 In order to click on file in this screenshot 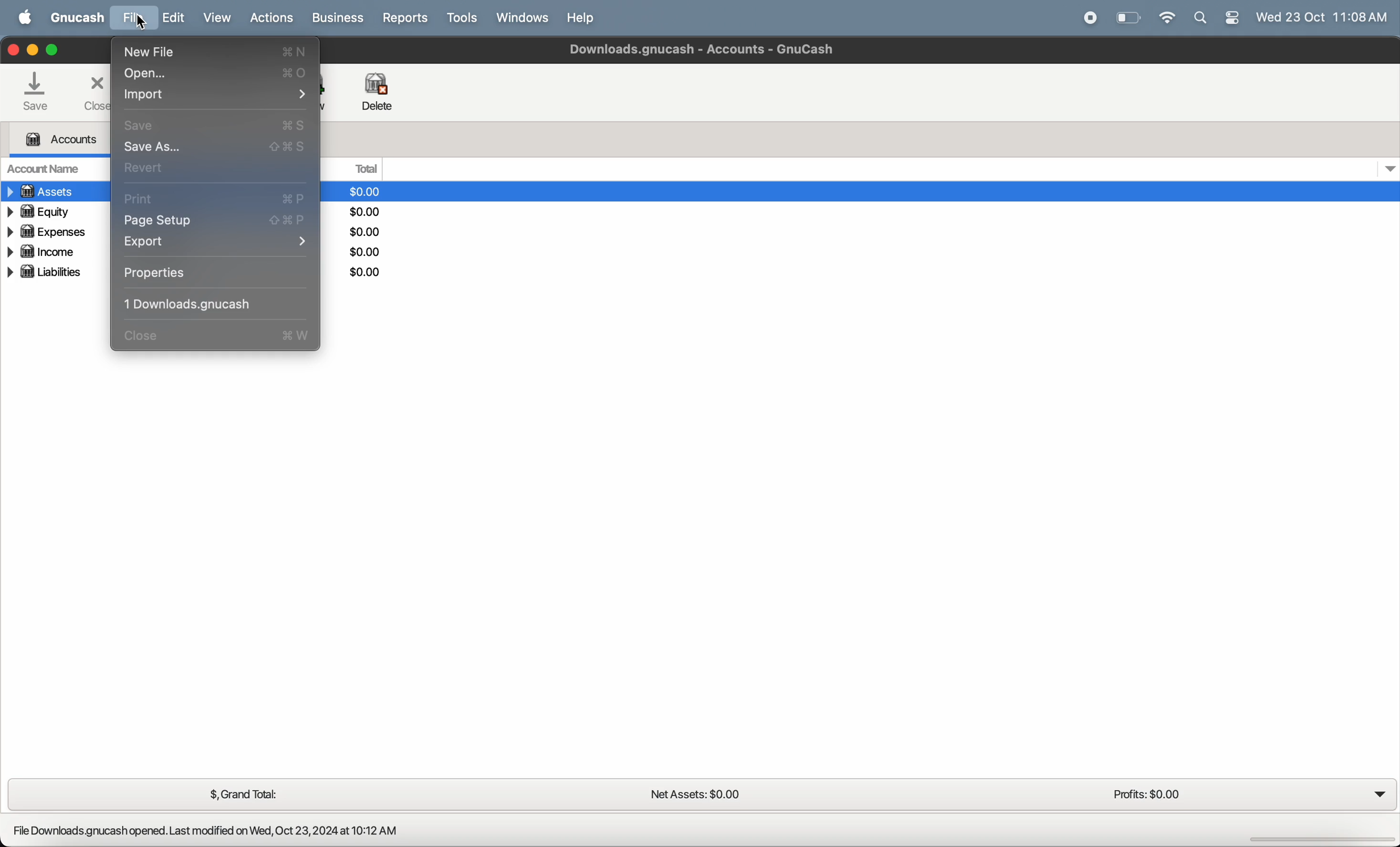, I will do `click(132, 19)`.